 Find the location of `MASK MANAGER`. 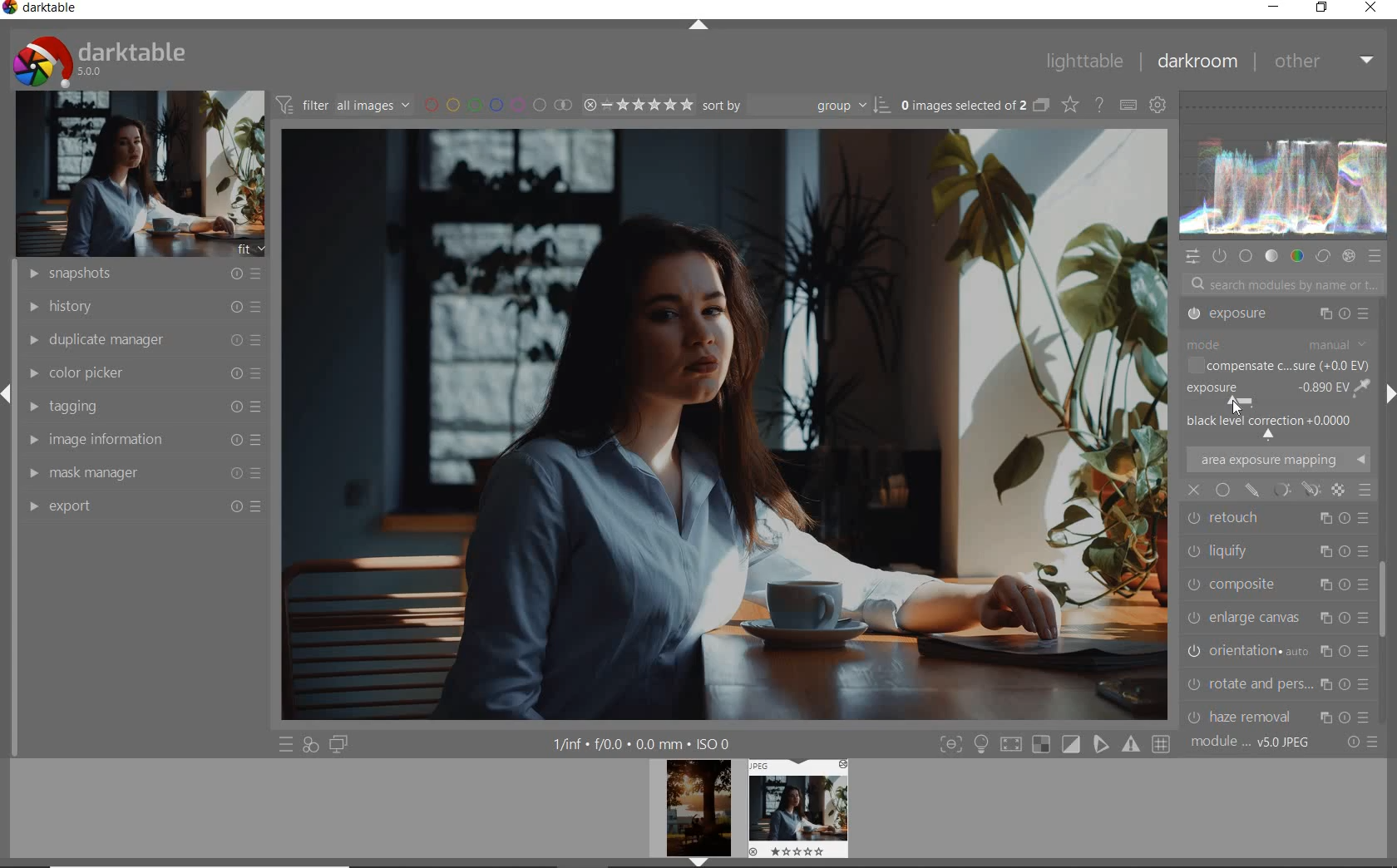

MASK MANAGER is located at coordinates (141, 472).